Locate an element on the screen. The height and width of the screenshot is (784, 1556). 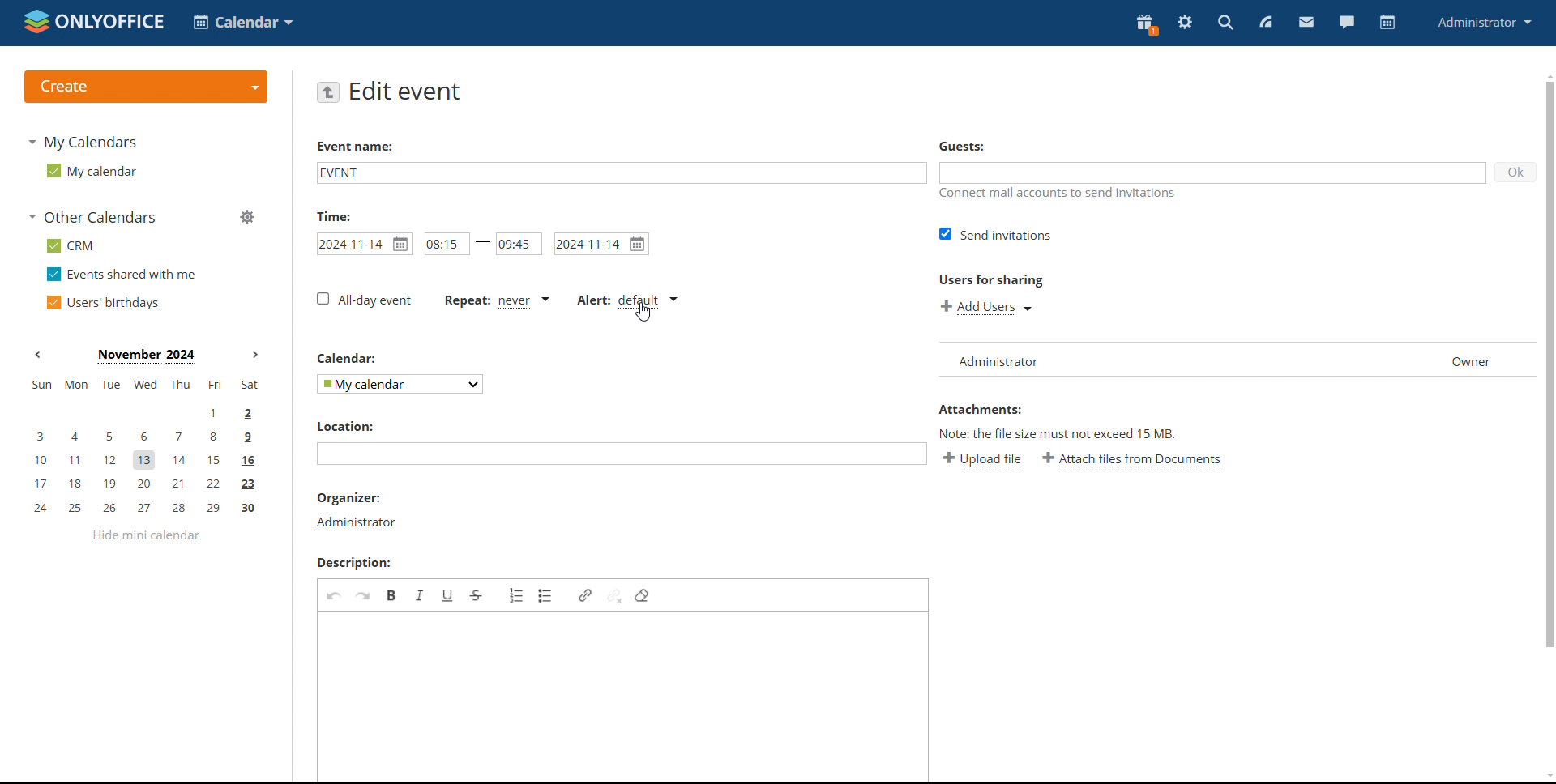
other calendars is located at coordinates (90, 217).